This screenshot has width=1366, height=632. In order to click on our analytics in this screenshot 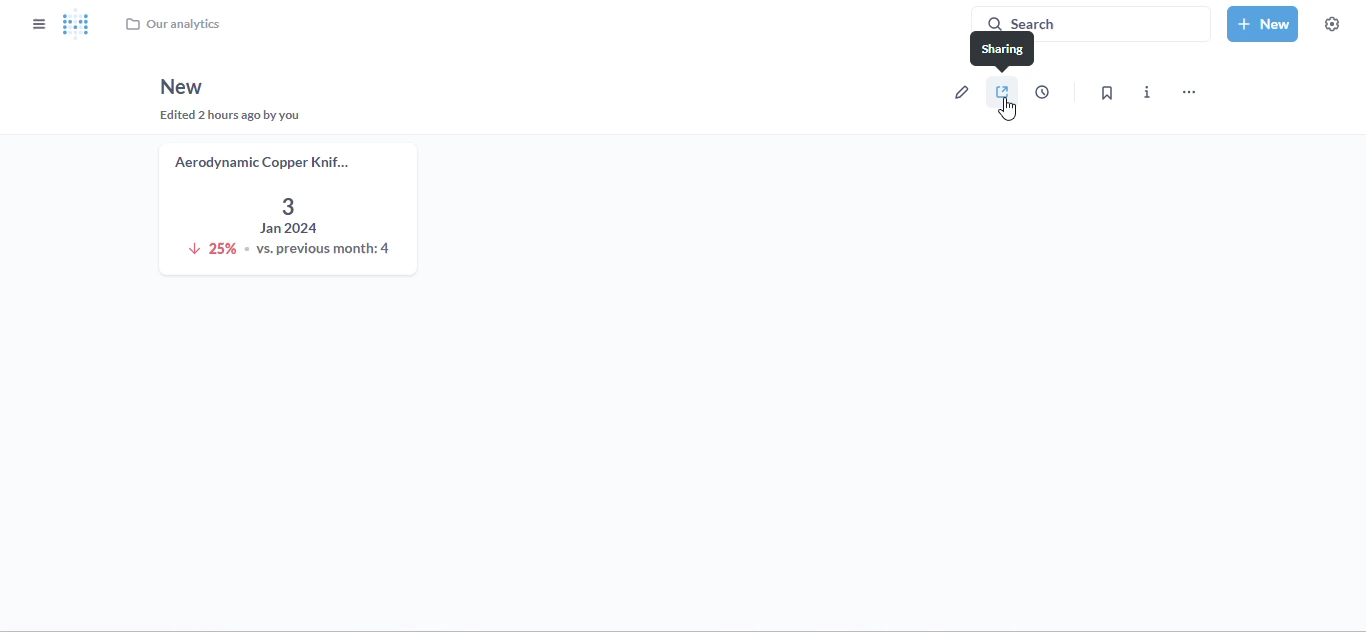, I will do `click(172, 24)`.